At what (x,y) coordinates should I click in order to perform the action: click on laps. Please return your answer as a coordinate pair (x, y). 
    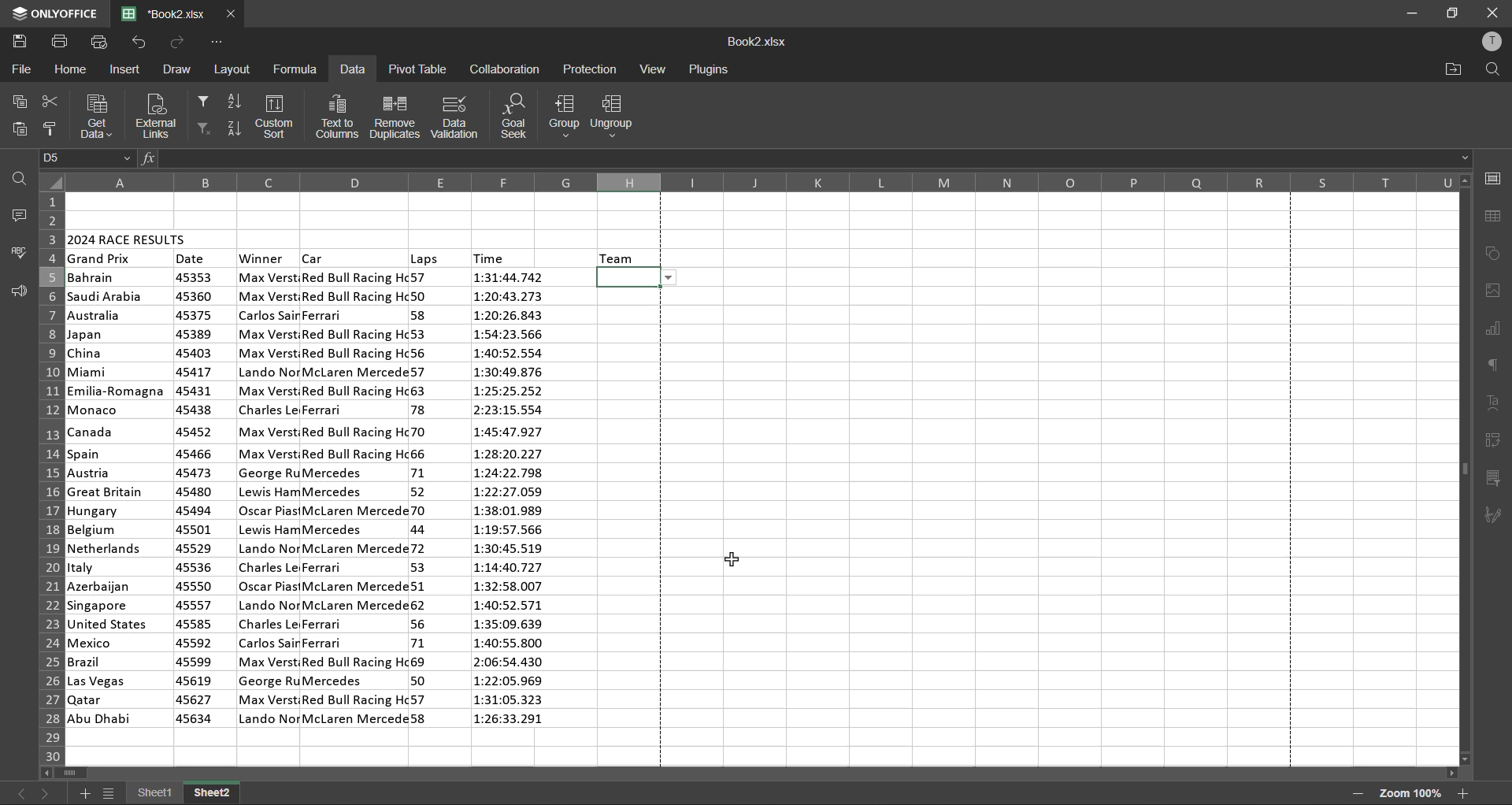
    Looking at the image, I should click on (422, 500).